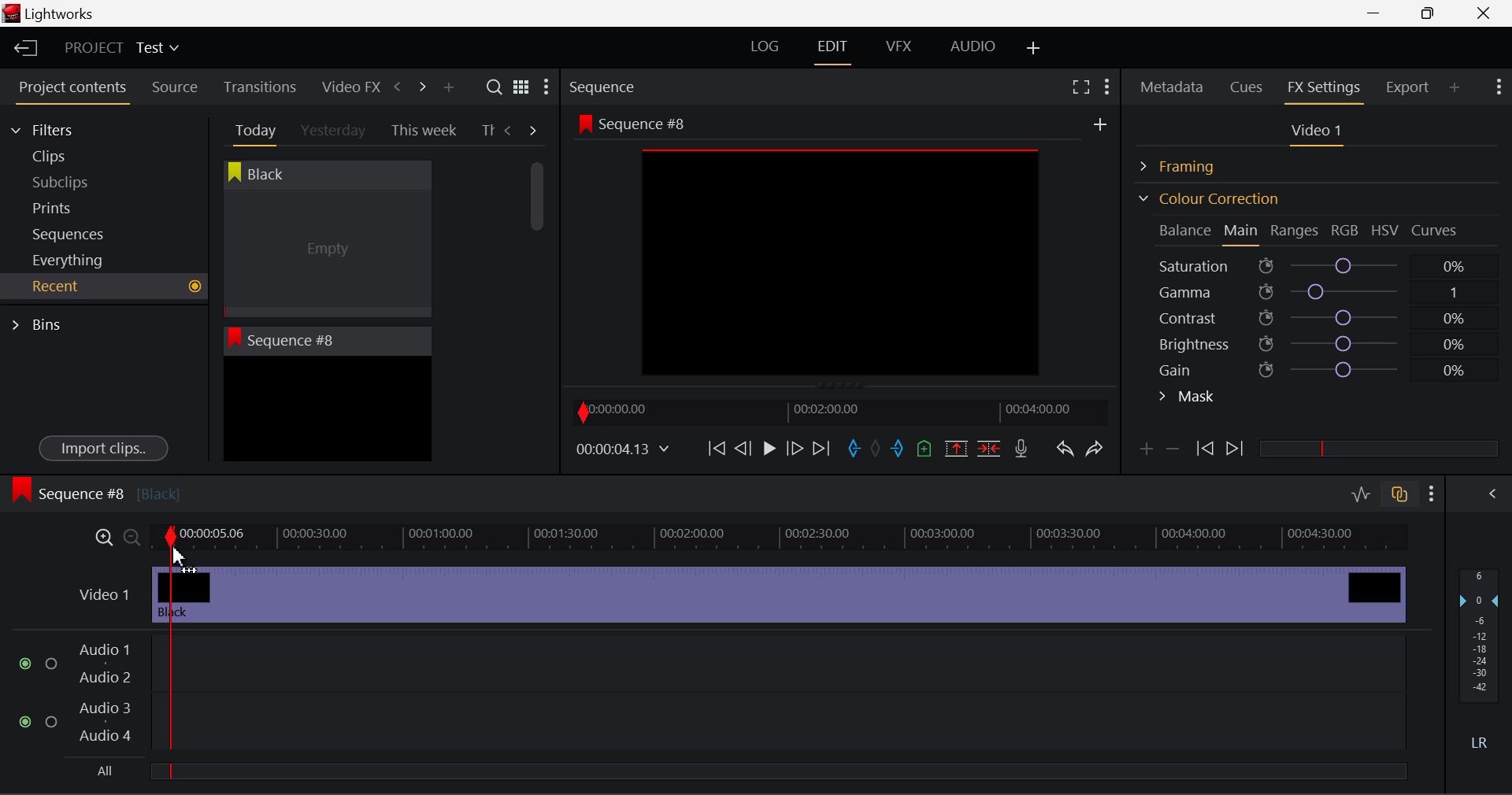  Describe the element at coordinates (838, 412) in the screenshot. I see `Project Timeline Navigator` at that location.